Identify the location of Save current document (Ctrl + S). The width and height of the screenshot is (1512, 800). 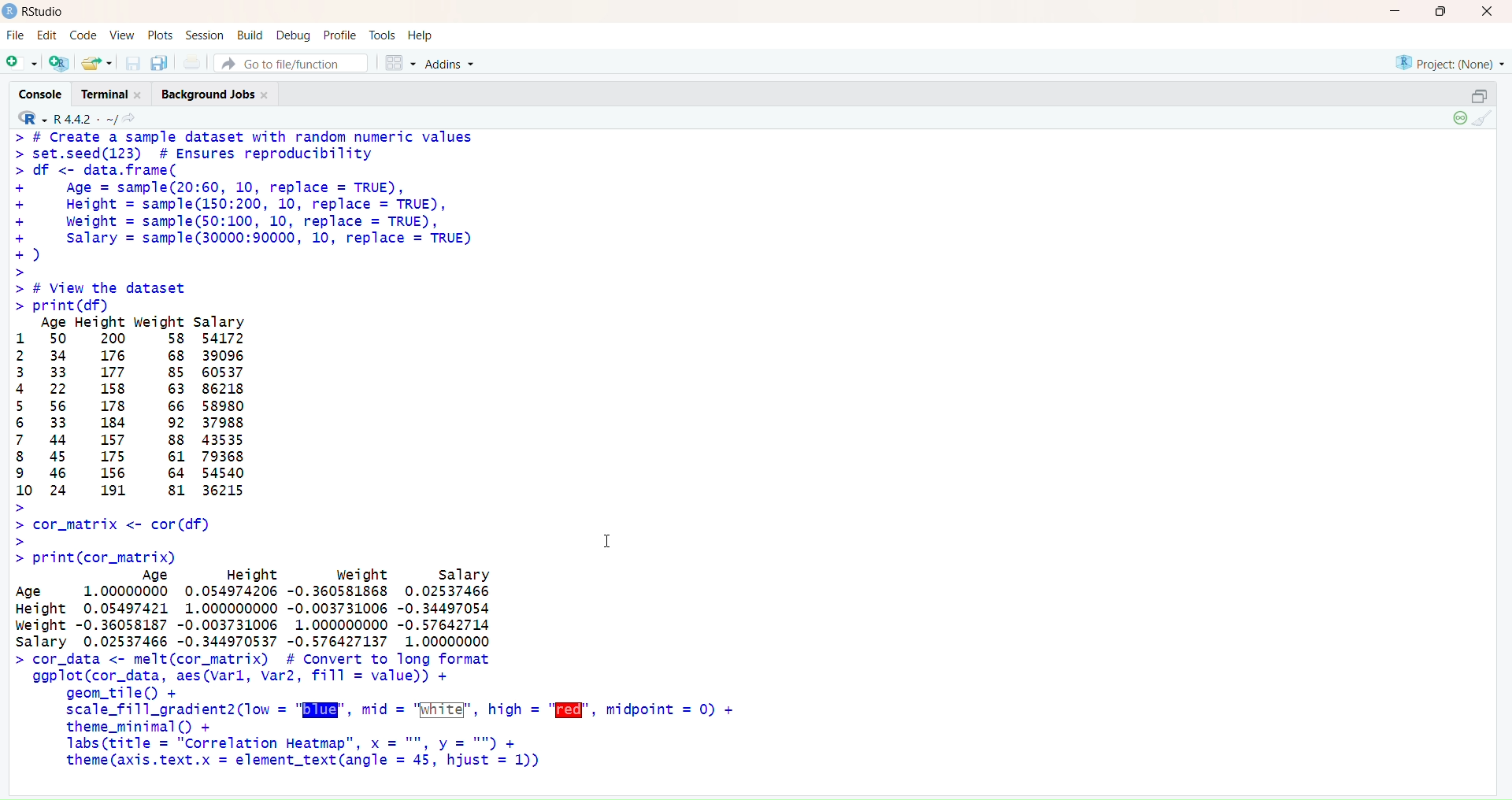
(132, 63).